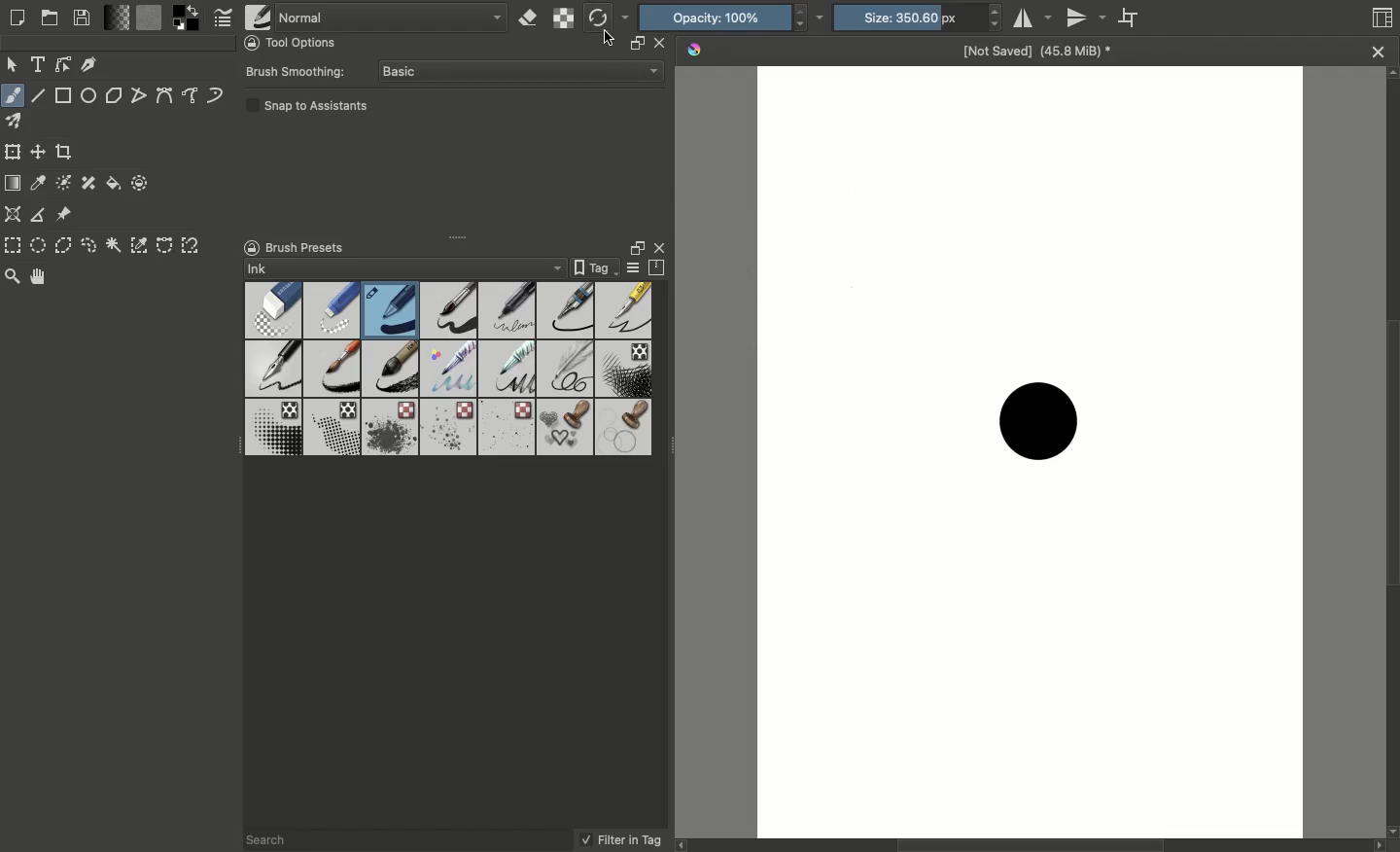 This screenshot has height=852, width=1400. I want to click on Opacity, so click(732, 18).